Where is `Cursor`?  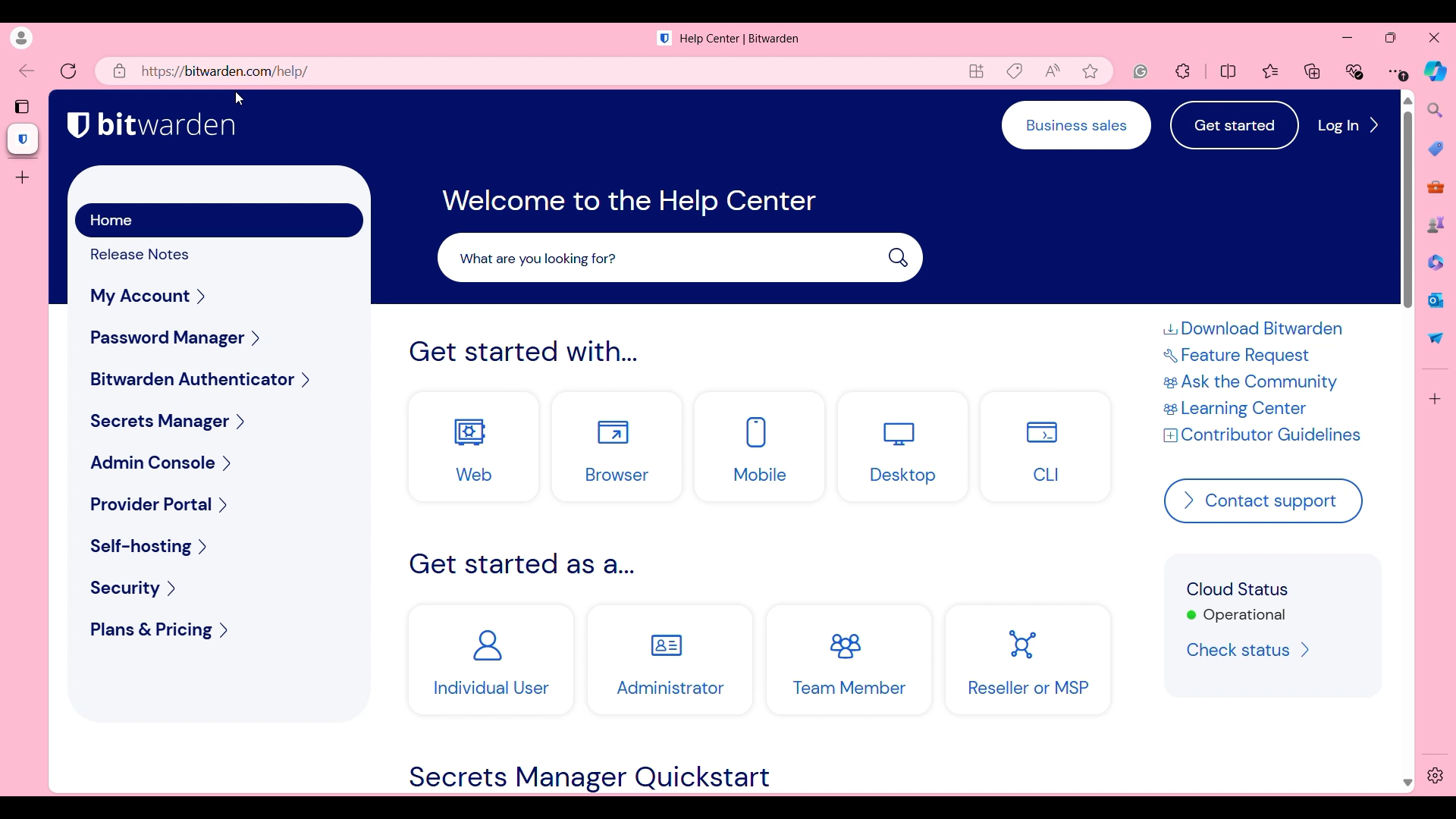
Cursor is located at coordinates (240, 99).